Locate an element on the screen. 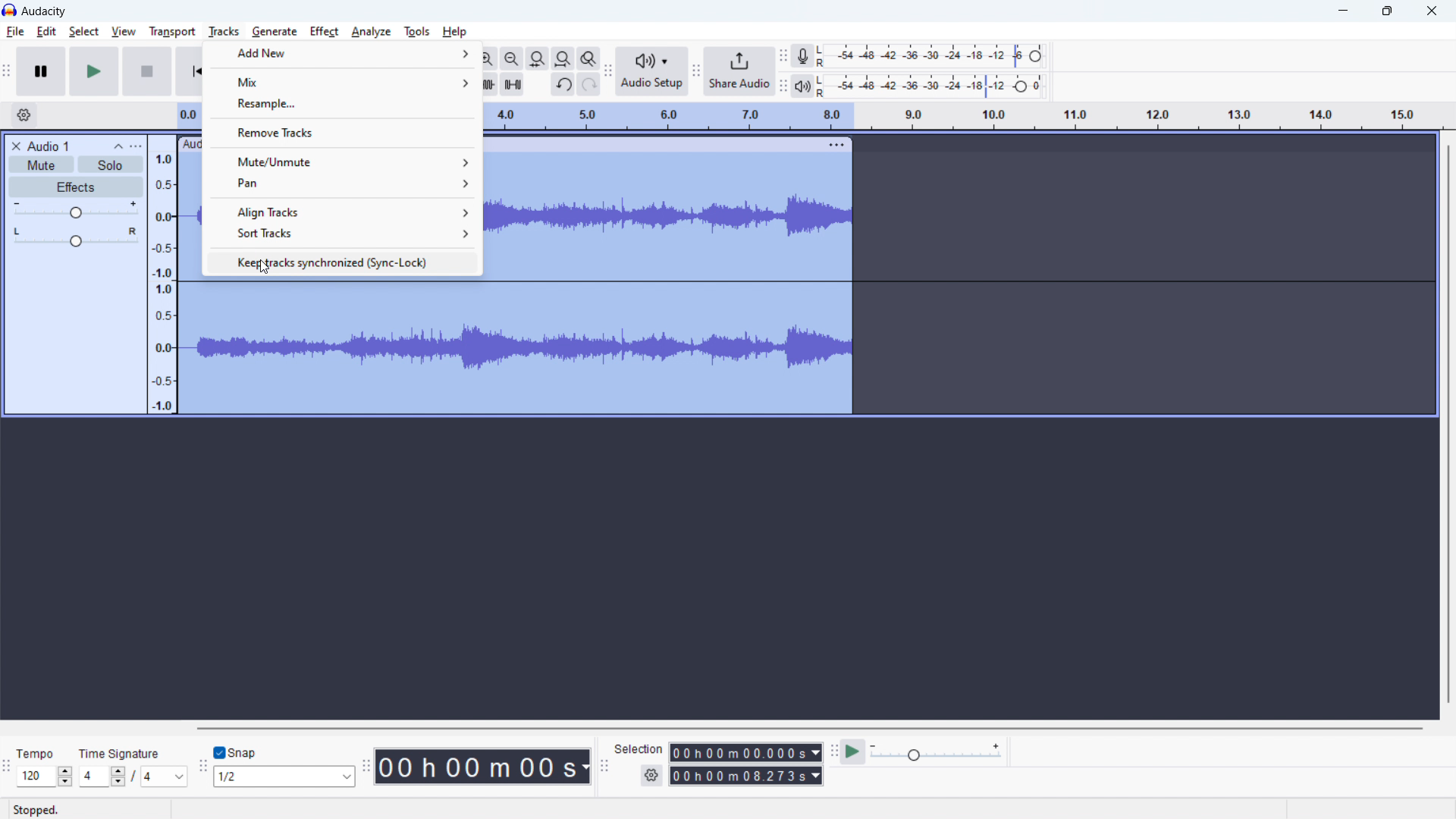 The image size is (1456, 819). toggle zoom is located at coordinates (588, 59).